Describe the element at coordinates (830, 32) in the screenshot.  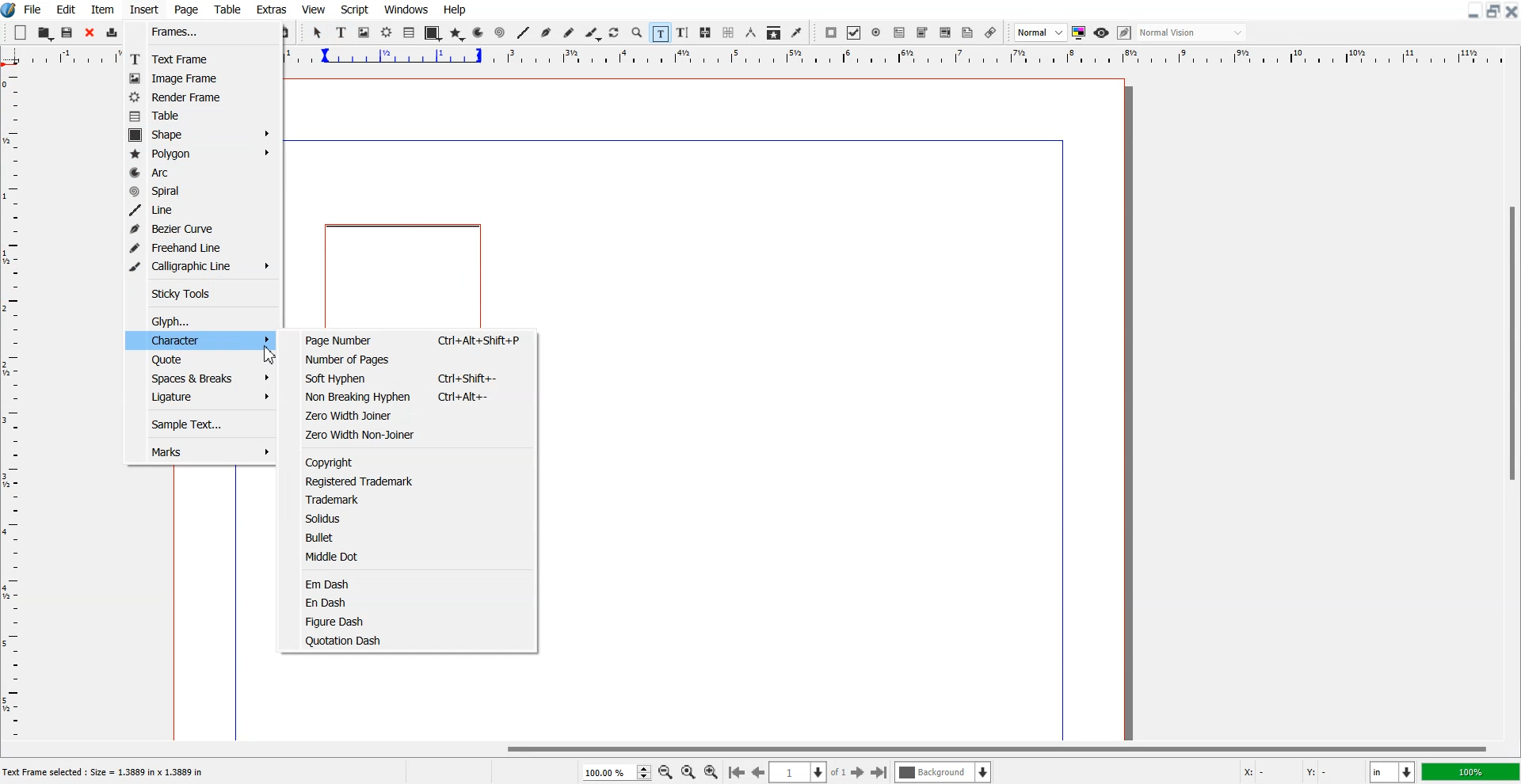
I see `PDF Push button ` at that location.